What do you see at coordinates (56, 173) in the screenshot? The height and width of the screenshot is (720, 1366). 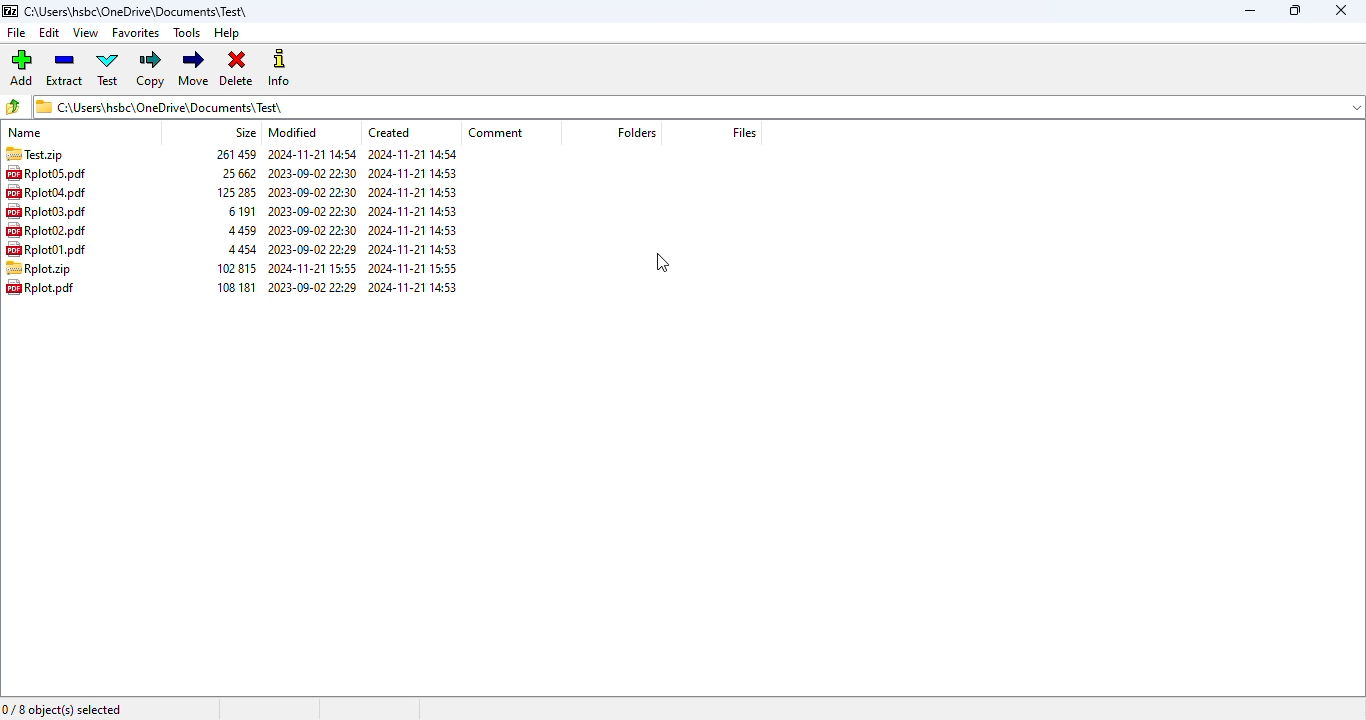 I see `Rplot05.pdf` at bounding box center [56, 173].